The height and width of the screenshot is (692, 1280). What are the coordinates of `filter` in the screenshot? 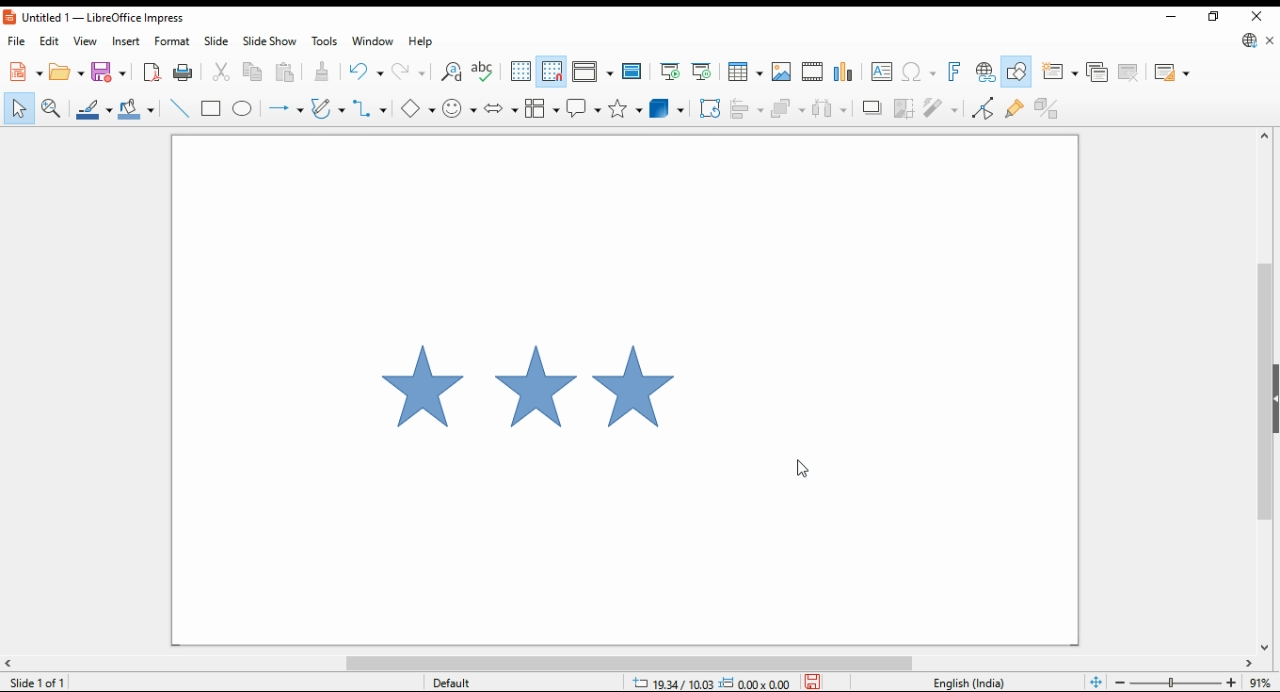 It's located at (942, 107).